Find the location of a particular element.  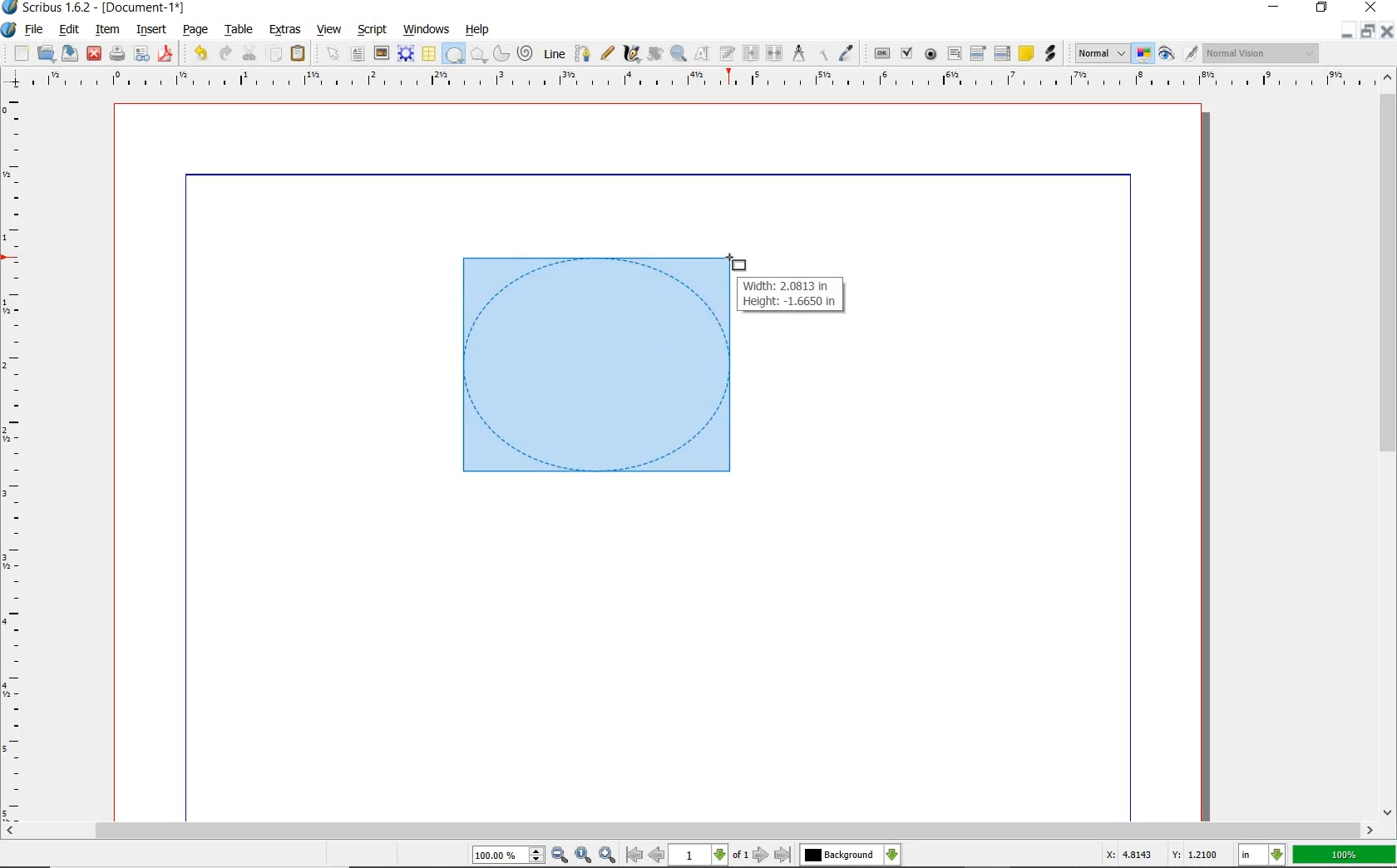

zoom to is located at coordinates (585, 855).